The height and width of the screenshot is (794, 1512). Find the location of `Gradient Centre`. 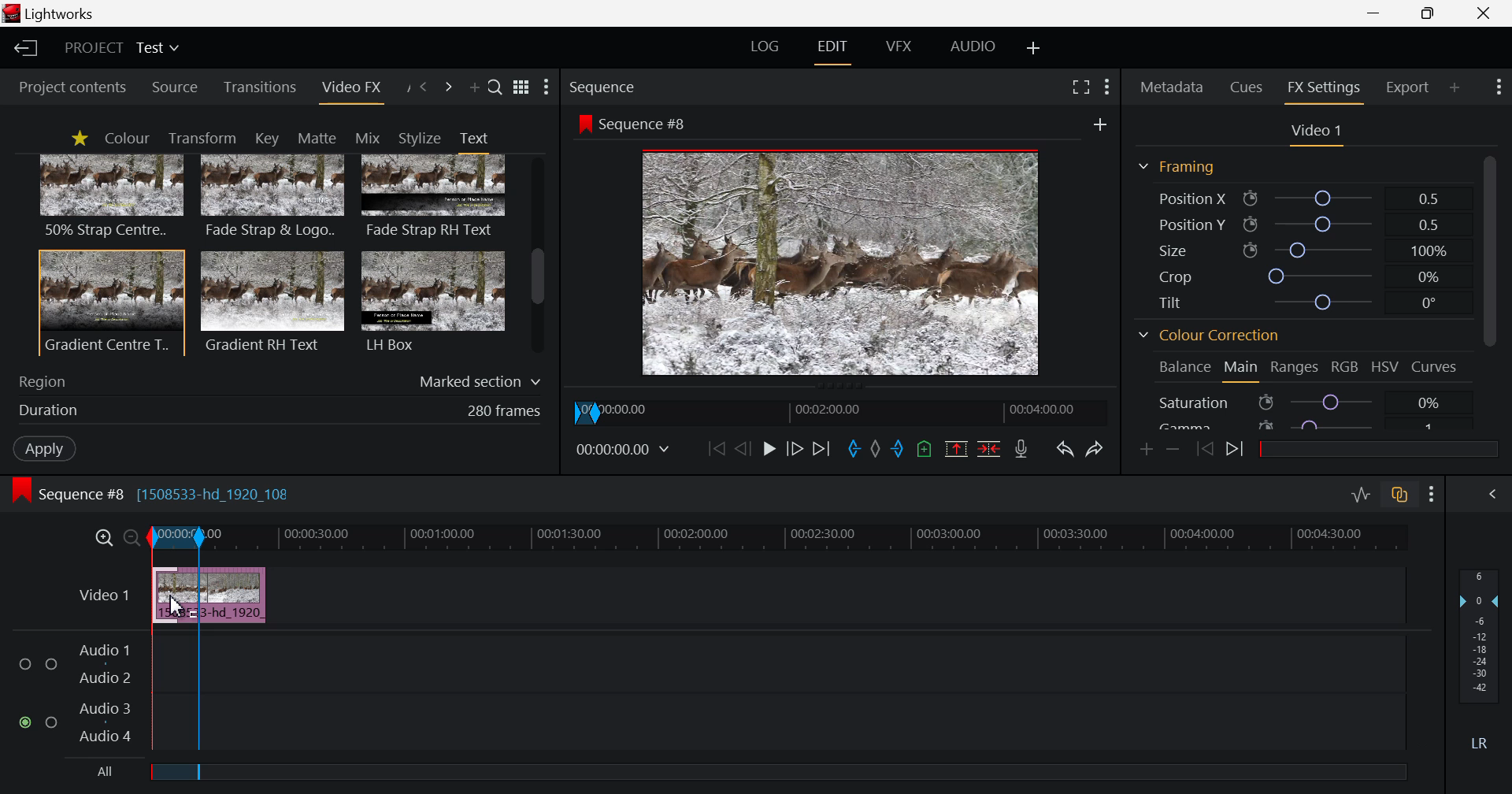

Gradient Centre is located at coordinates (110, 302).